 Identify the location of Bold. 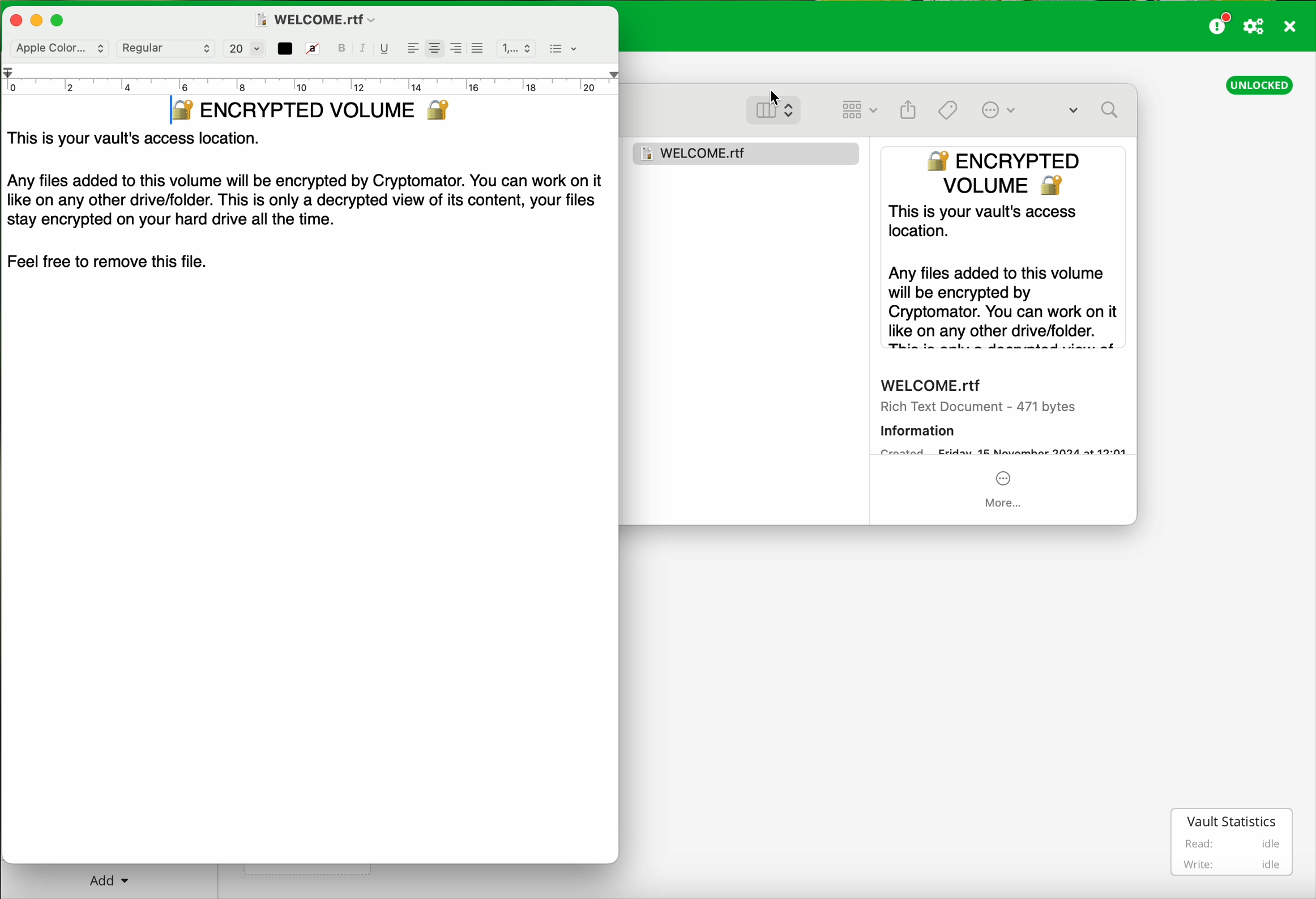
(343, 48).